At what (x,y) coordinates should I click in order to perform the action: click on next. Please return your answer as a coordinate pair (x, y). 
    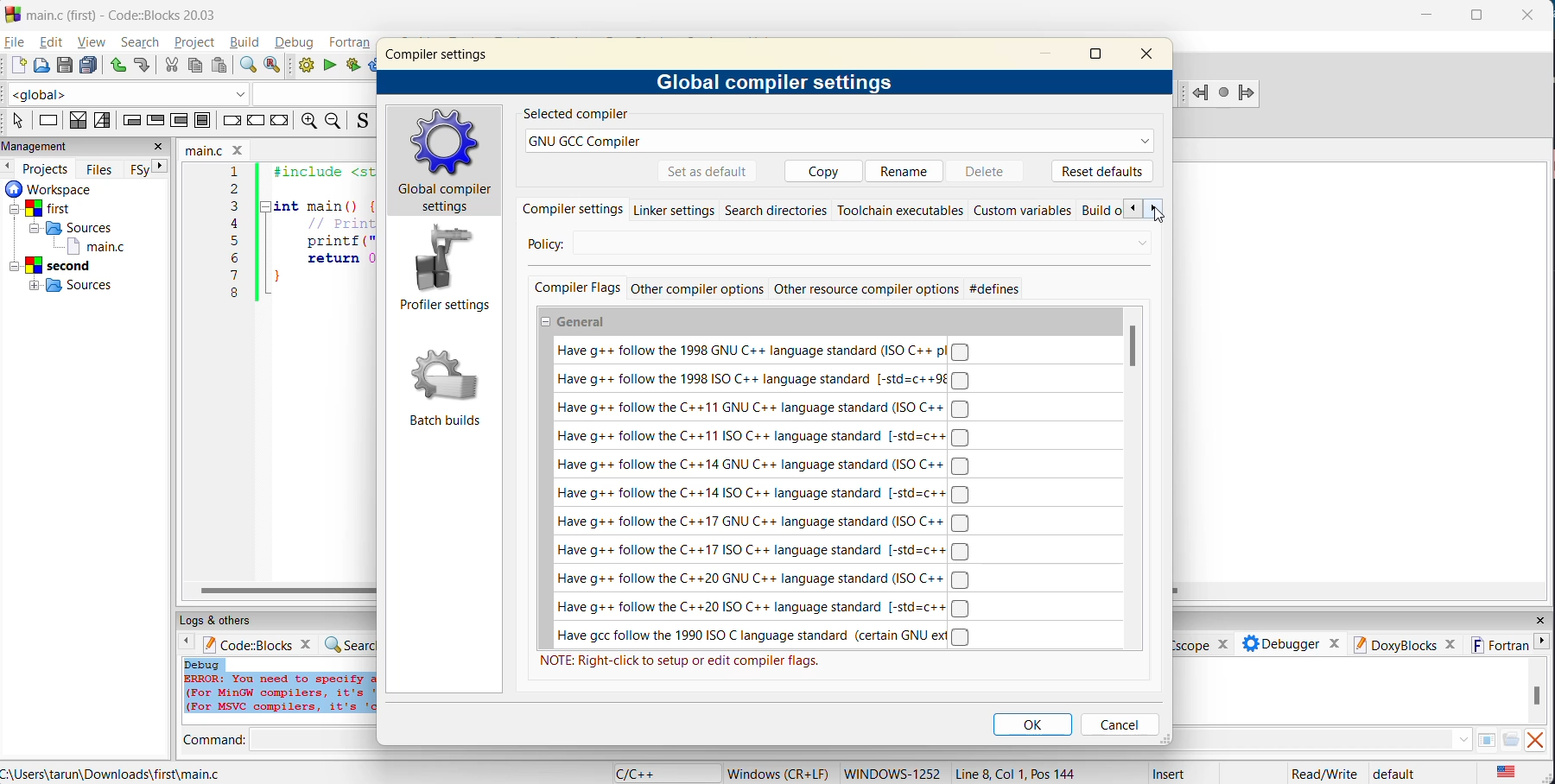
    Looking at the image, I should click on (1152, 210).